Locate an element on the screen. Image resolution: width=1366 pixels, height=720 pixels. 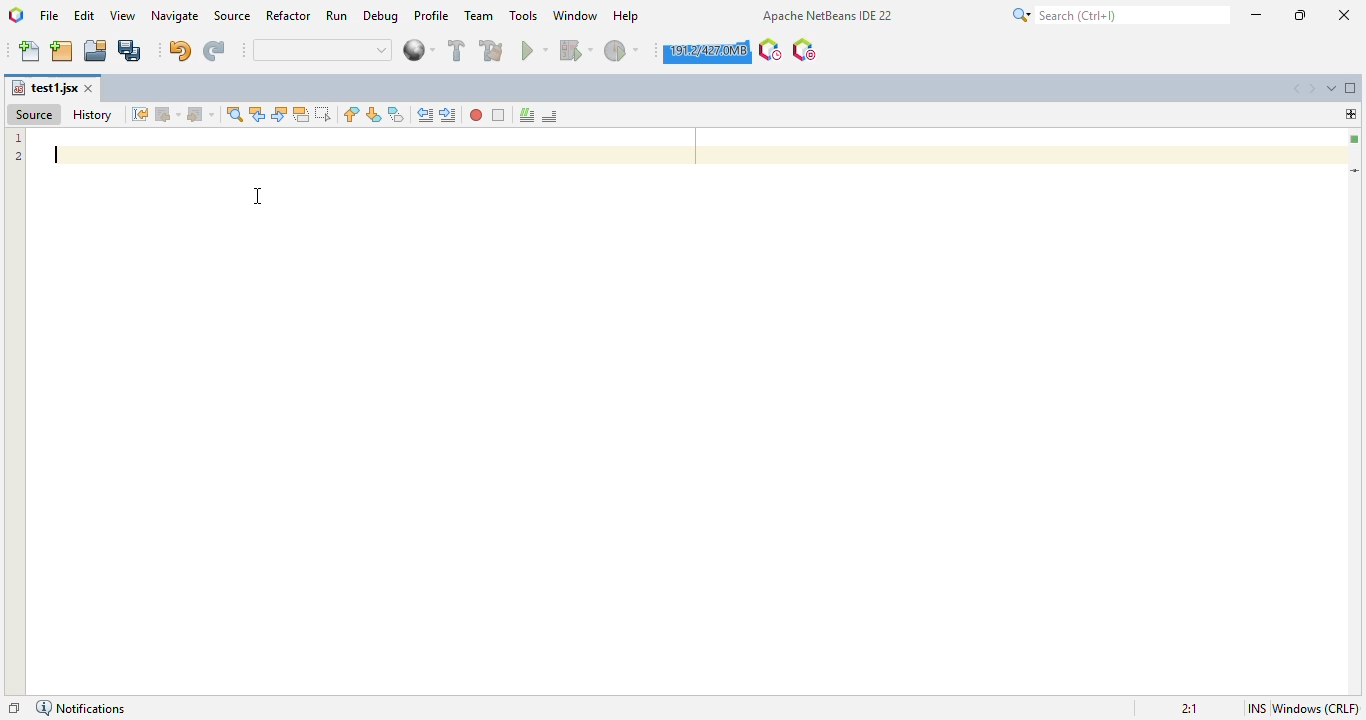
maximize windoe is located at coordinates (1351, 88).